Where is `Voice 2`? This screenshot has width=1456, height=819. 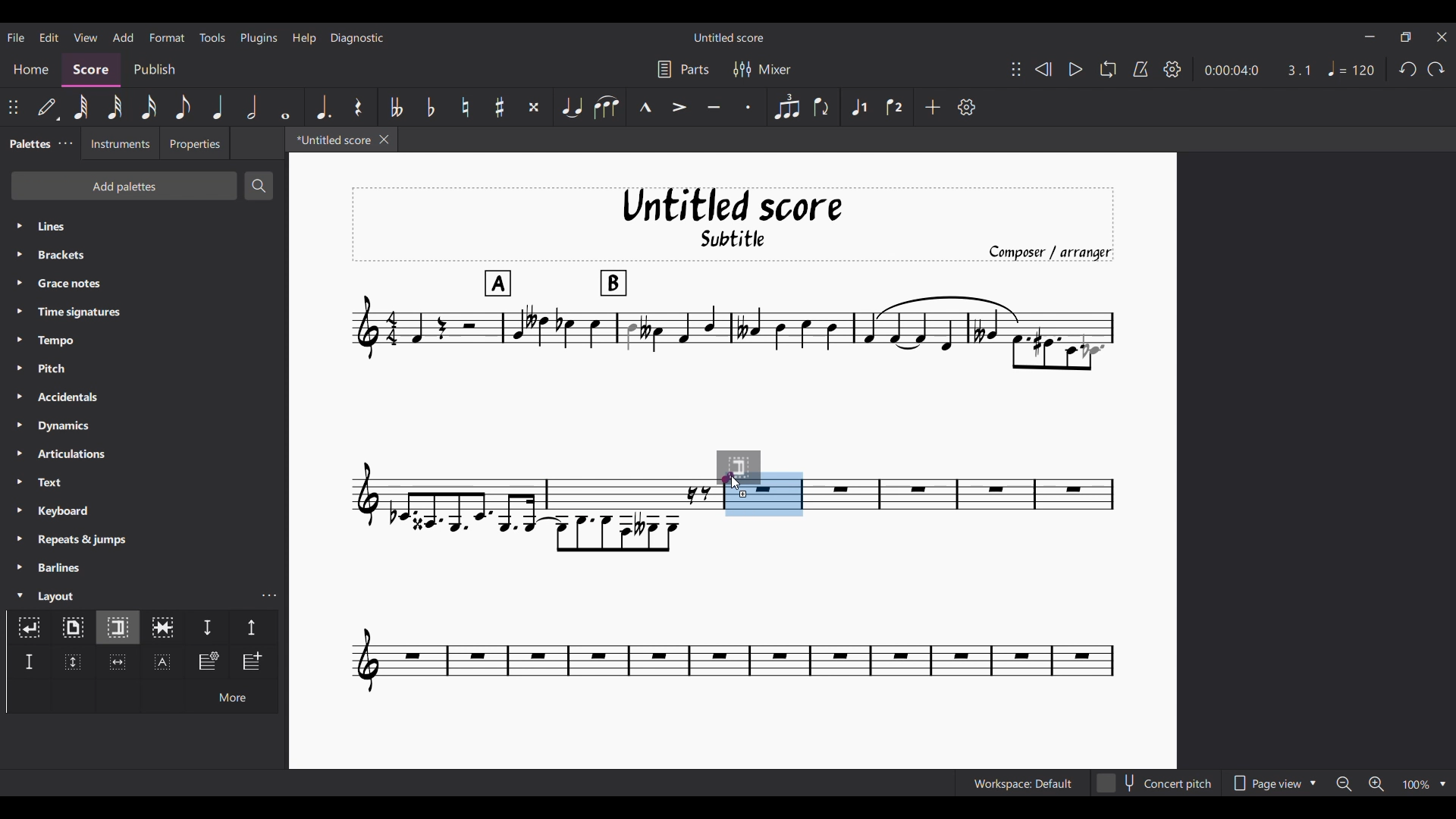 Voice 2 is located at coordinates (895, 107).